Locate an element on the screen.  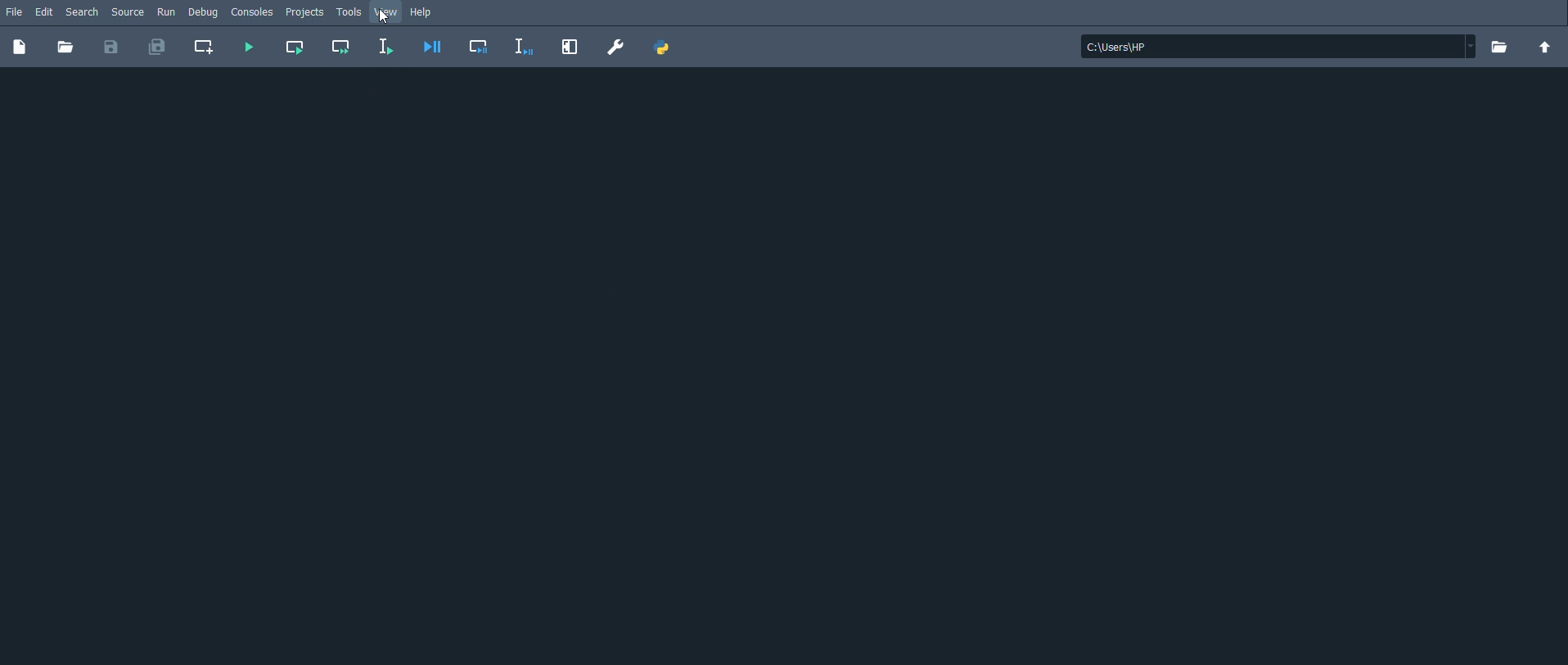
View is located at coordinates (386, 11).